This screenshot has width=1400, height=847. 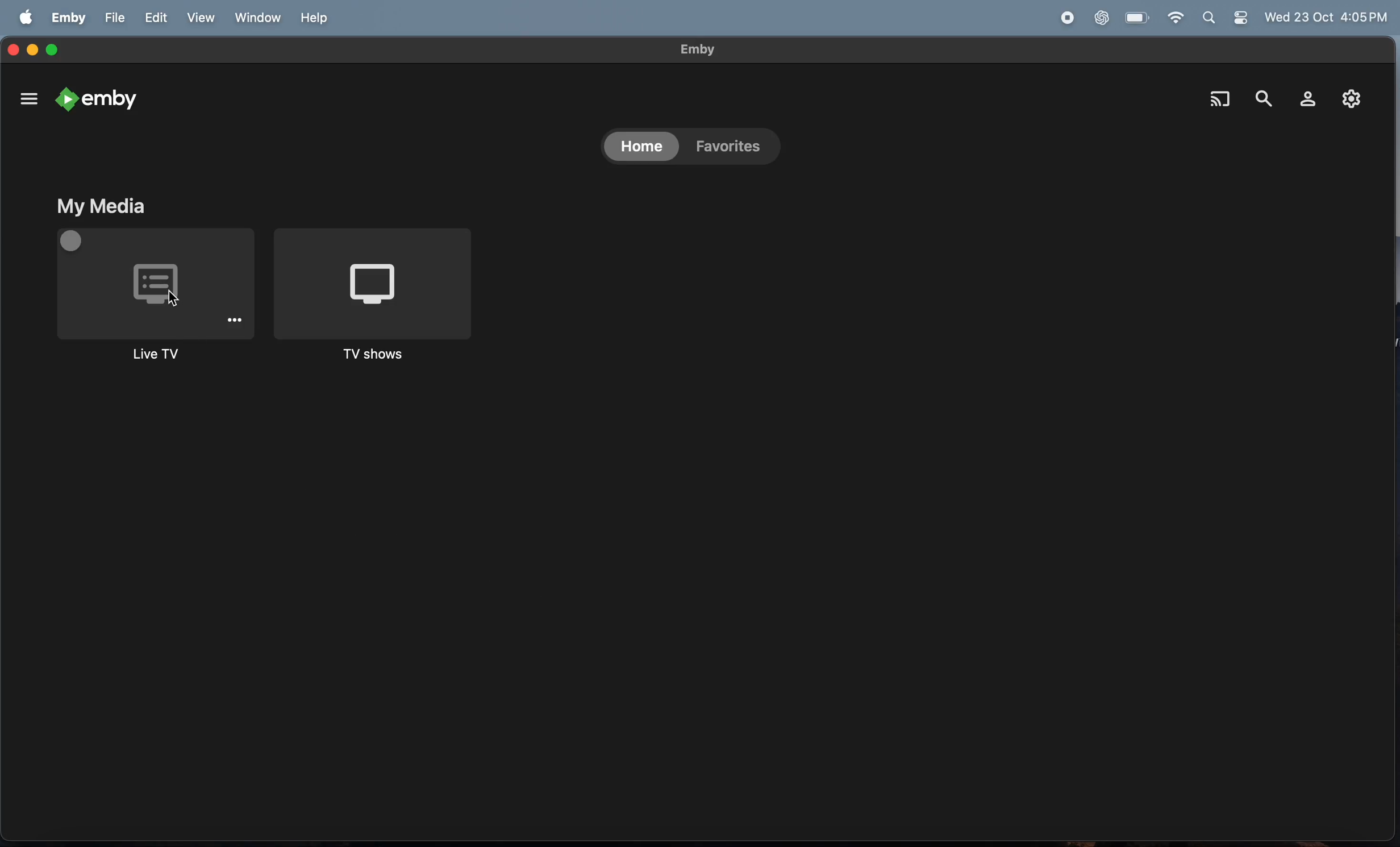 What do you see at coordinates (1137, 17) in the screenshot?
I see `battery` at bounding box center [1137, 17].